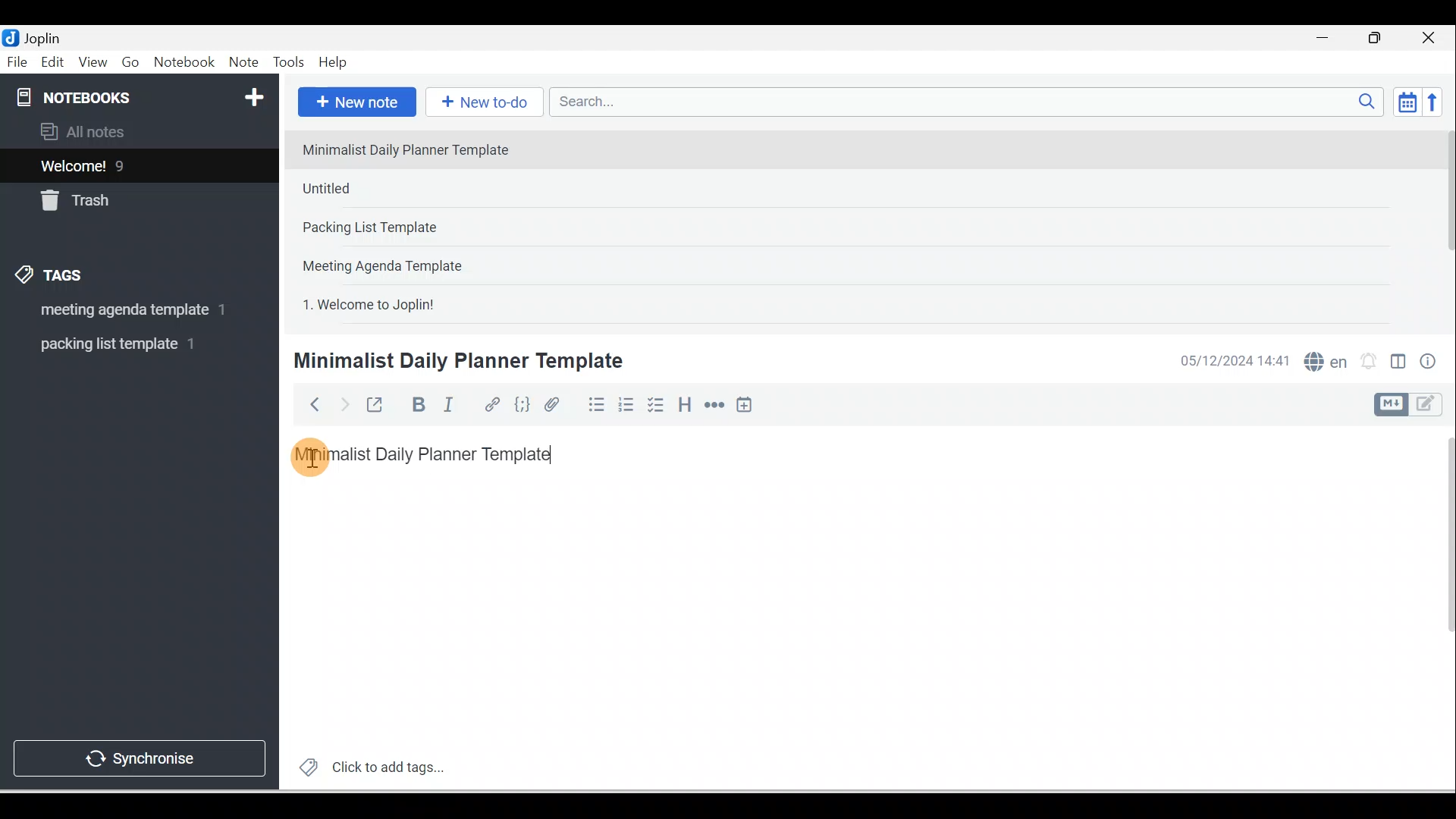 The width and height of the screenshot is (1456, 819). Describe the element at coordinates (418, 228) in the screenshot. I see `Note 3` at that location.